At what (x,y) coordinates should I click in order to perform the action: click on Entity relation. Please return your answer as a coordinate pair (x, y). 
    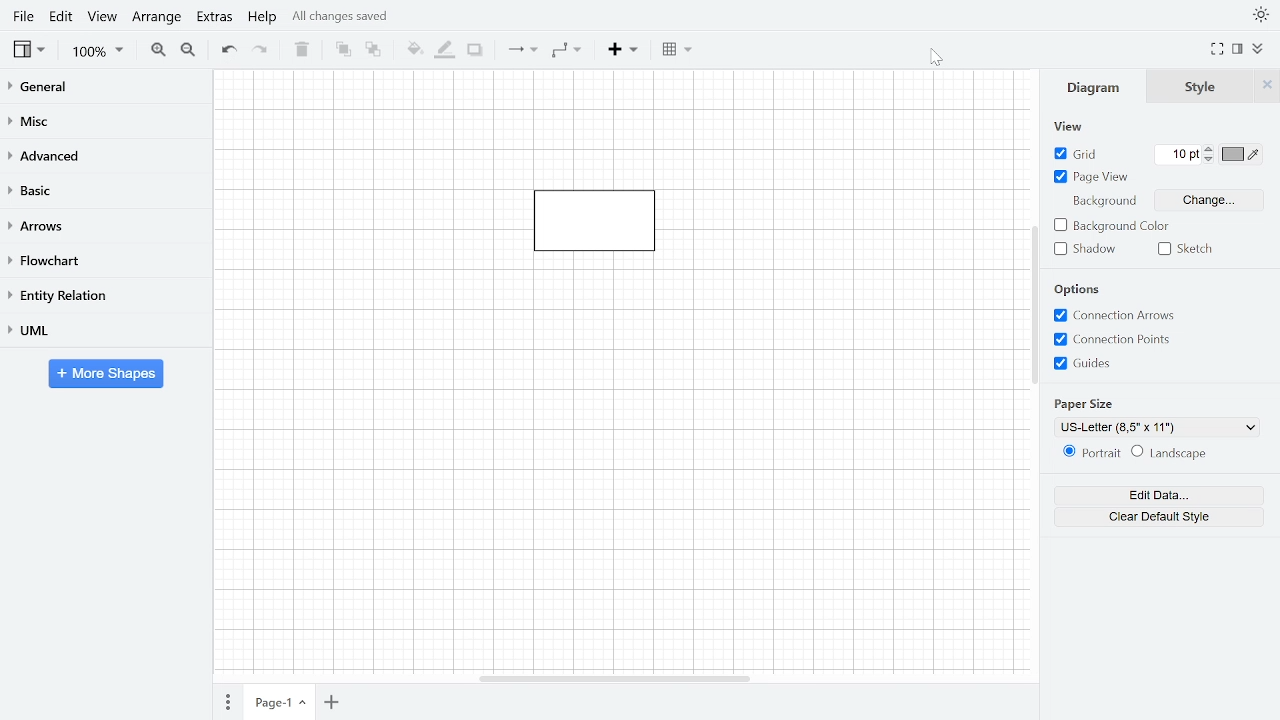
    Looking at the image, I should click on (104, 296).